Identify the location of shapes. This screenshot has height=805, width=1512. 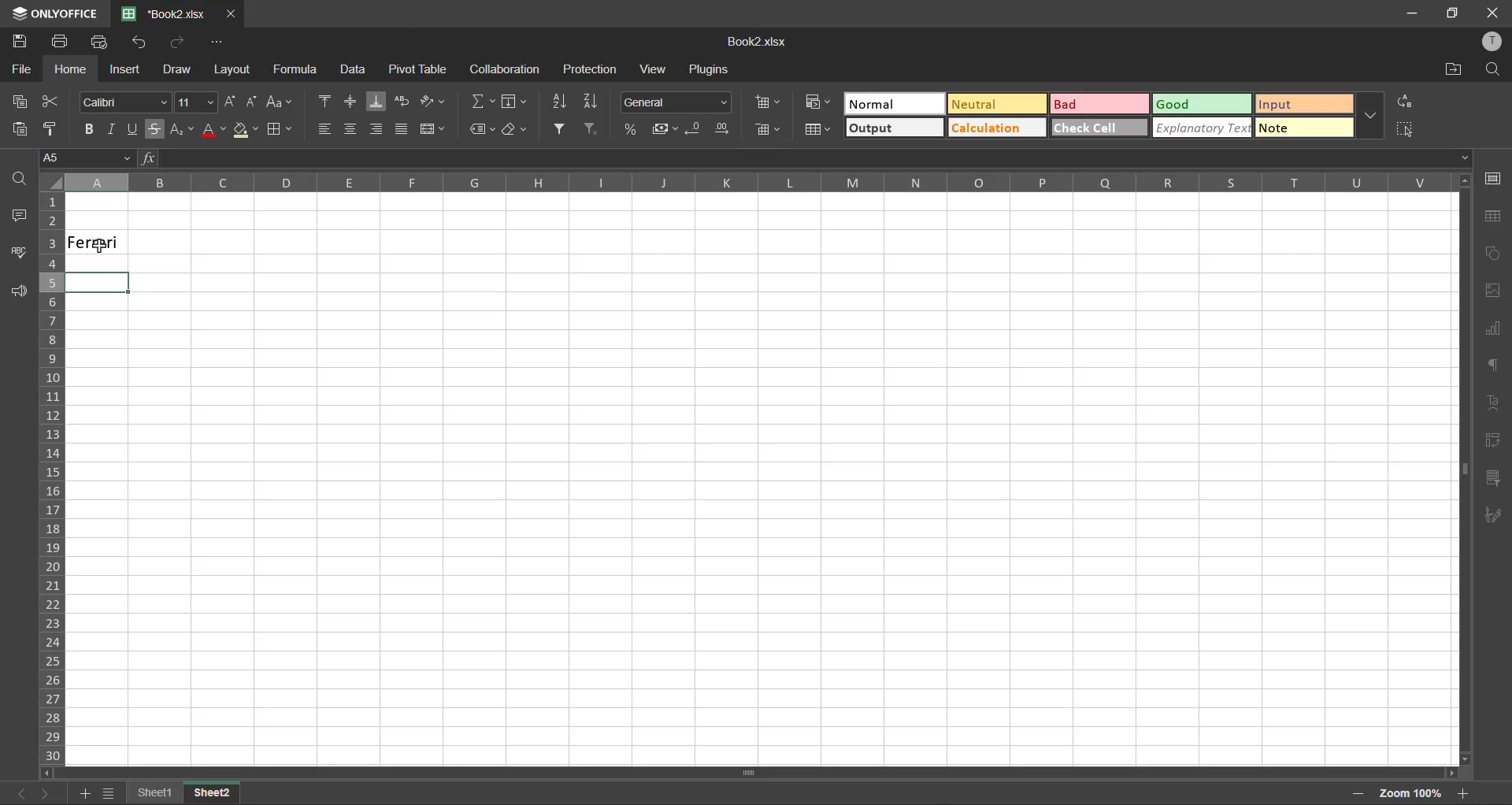
(1495, 256).